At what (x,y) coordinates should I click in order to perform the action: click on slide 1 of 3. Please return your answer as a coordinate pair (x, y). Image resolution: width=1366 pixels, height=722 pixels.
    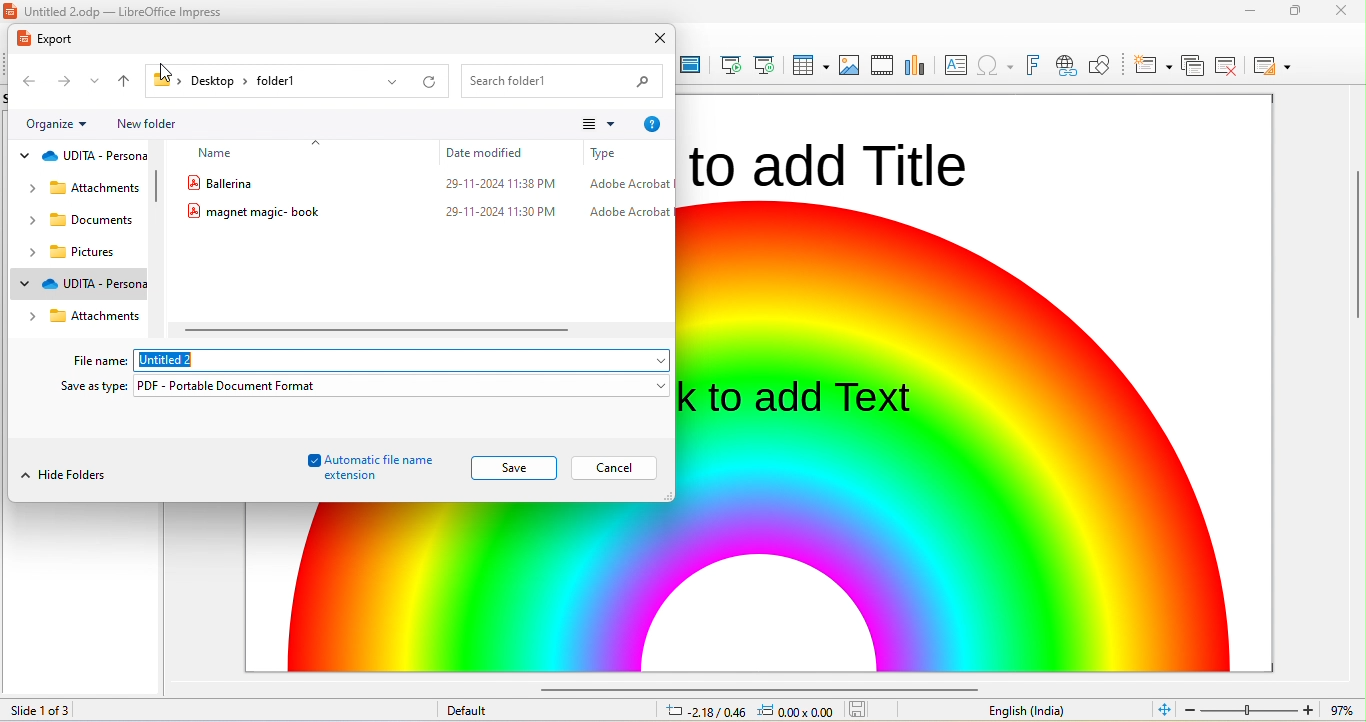
    Looking at the image, I should click on (73, 710).